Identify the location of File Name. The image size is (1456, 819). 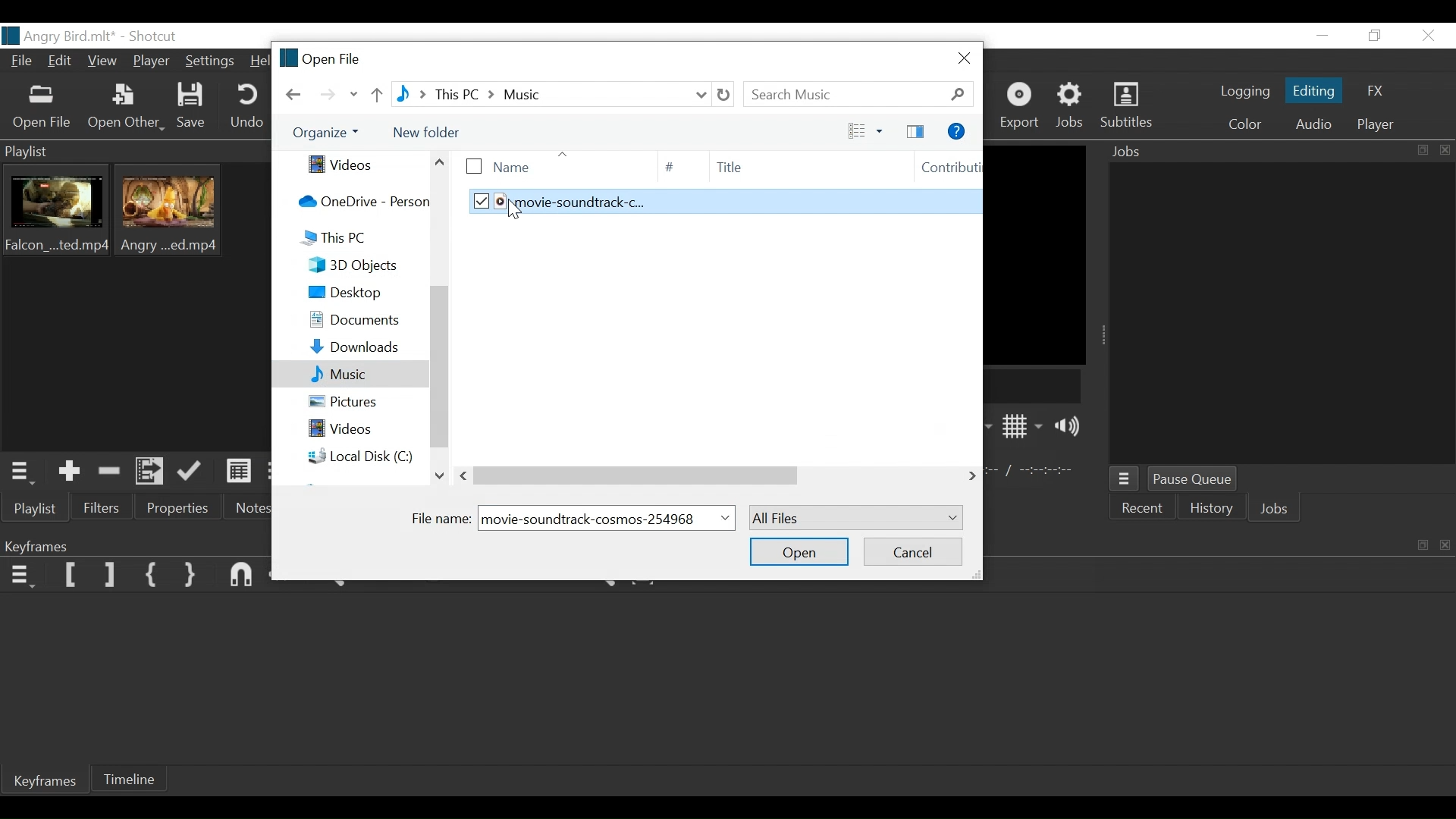
(443, 517).